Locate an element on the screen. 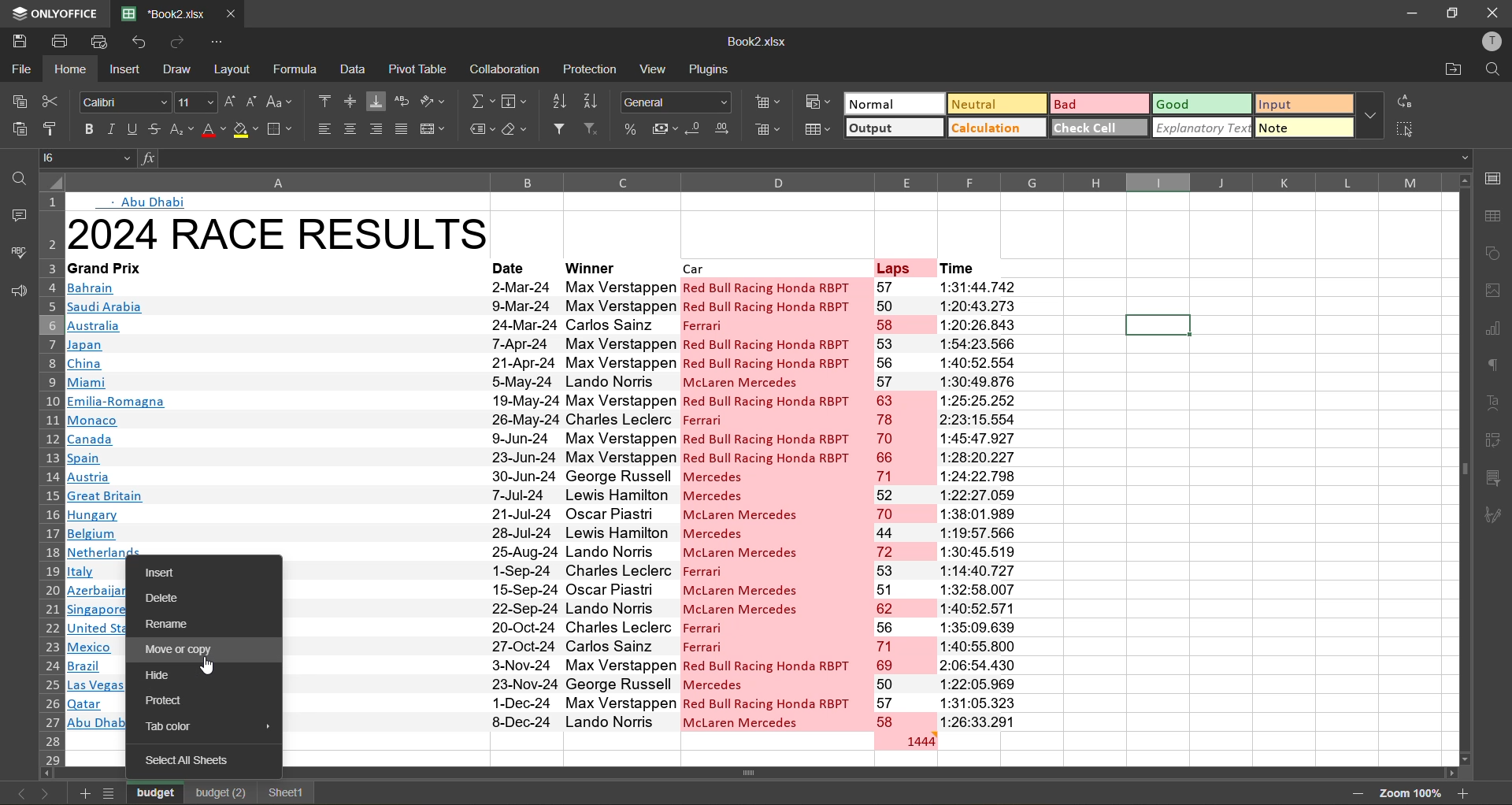  bad is located at coordinates (1097, 103).